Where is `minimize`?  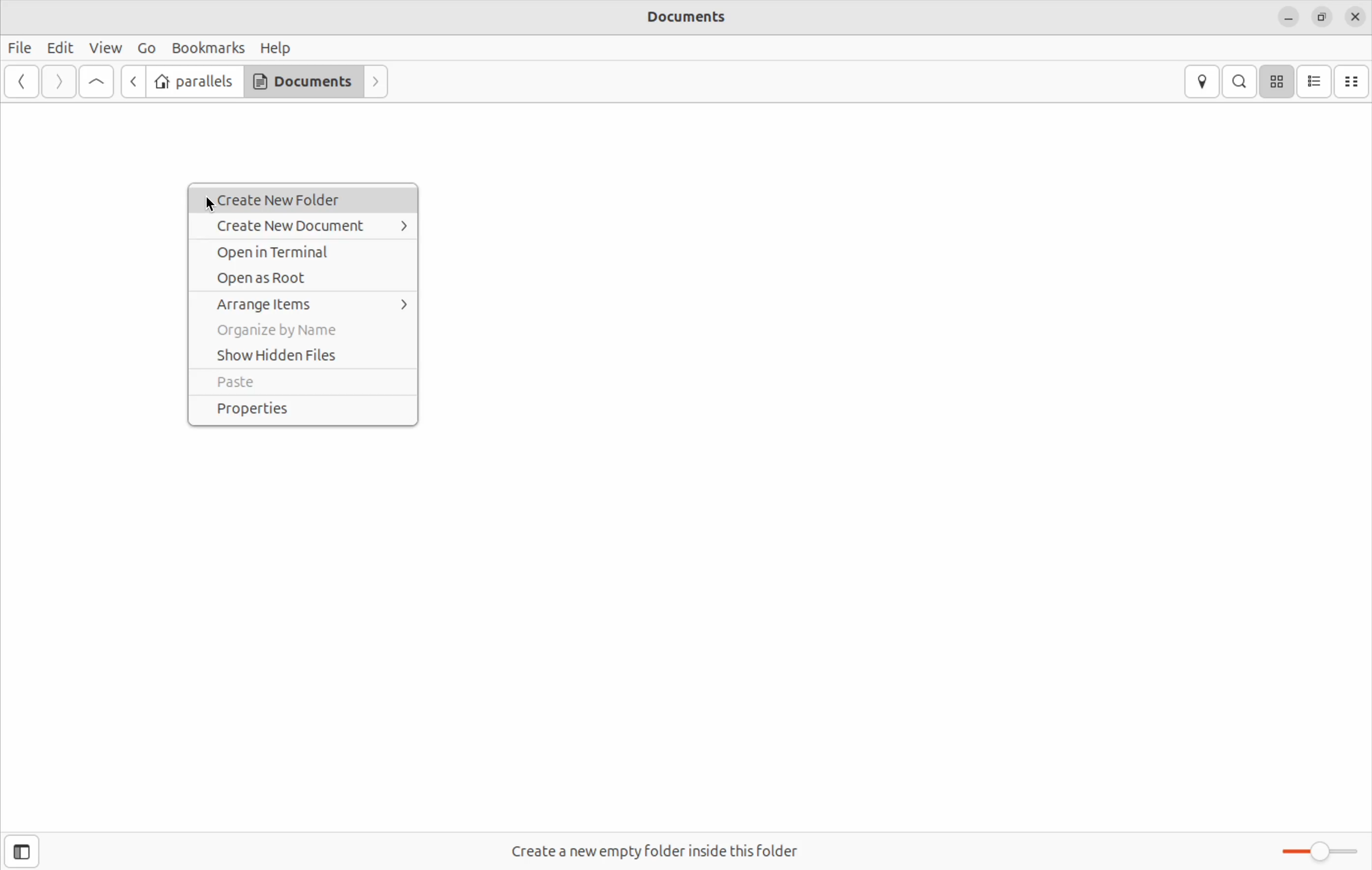
minimize is located at coordinates (1289, 18).